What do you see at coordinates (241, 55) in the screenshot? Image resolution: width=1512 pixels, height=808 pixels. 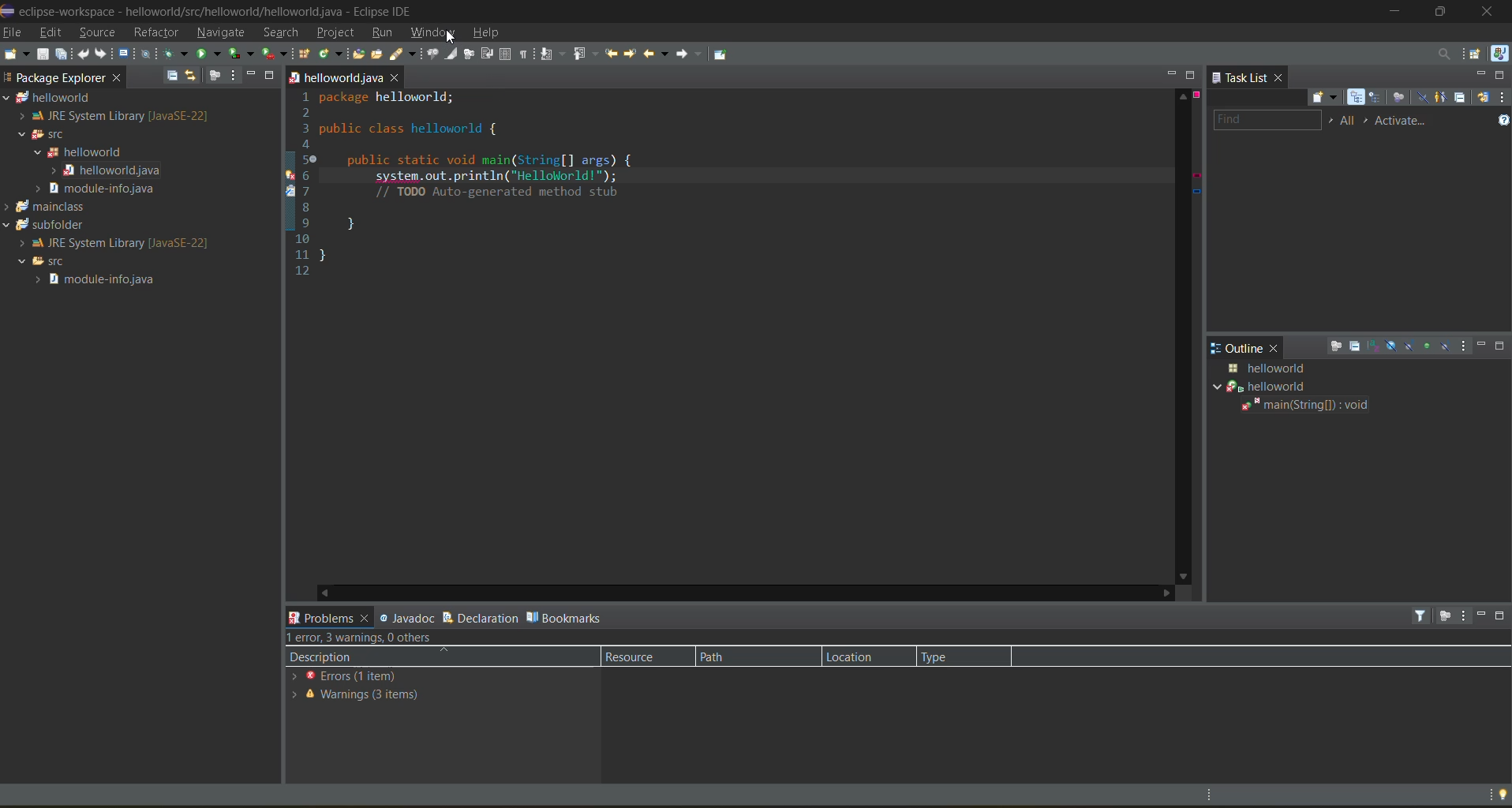 I see `coverage` at bounding box center [241, 55].